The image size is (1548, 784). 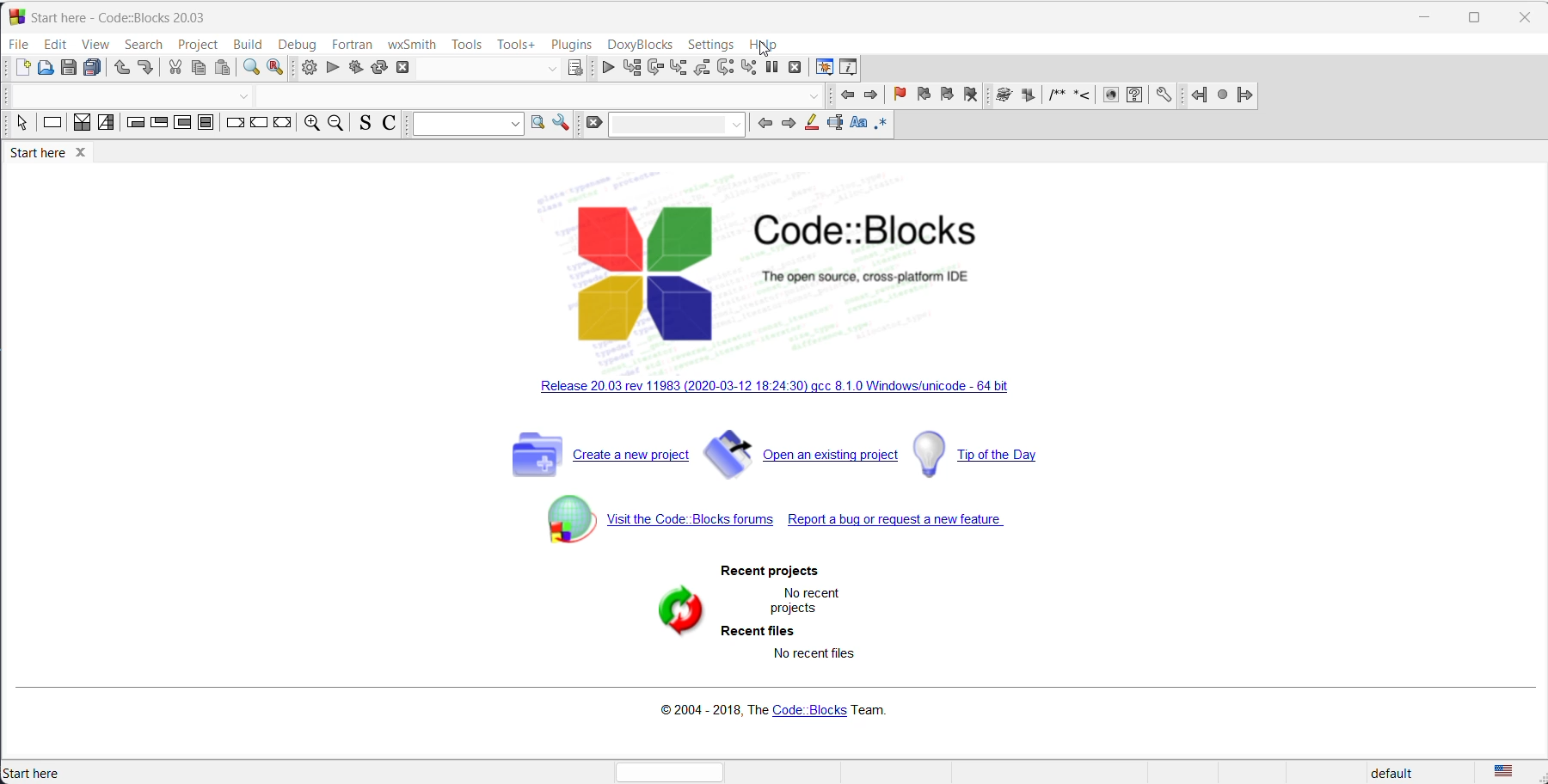 I want to click on open file, so click(x=45, y=69).